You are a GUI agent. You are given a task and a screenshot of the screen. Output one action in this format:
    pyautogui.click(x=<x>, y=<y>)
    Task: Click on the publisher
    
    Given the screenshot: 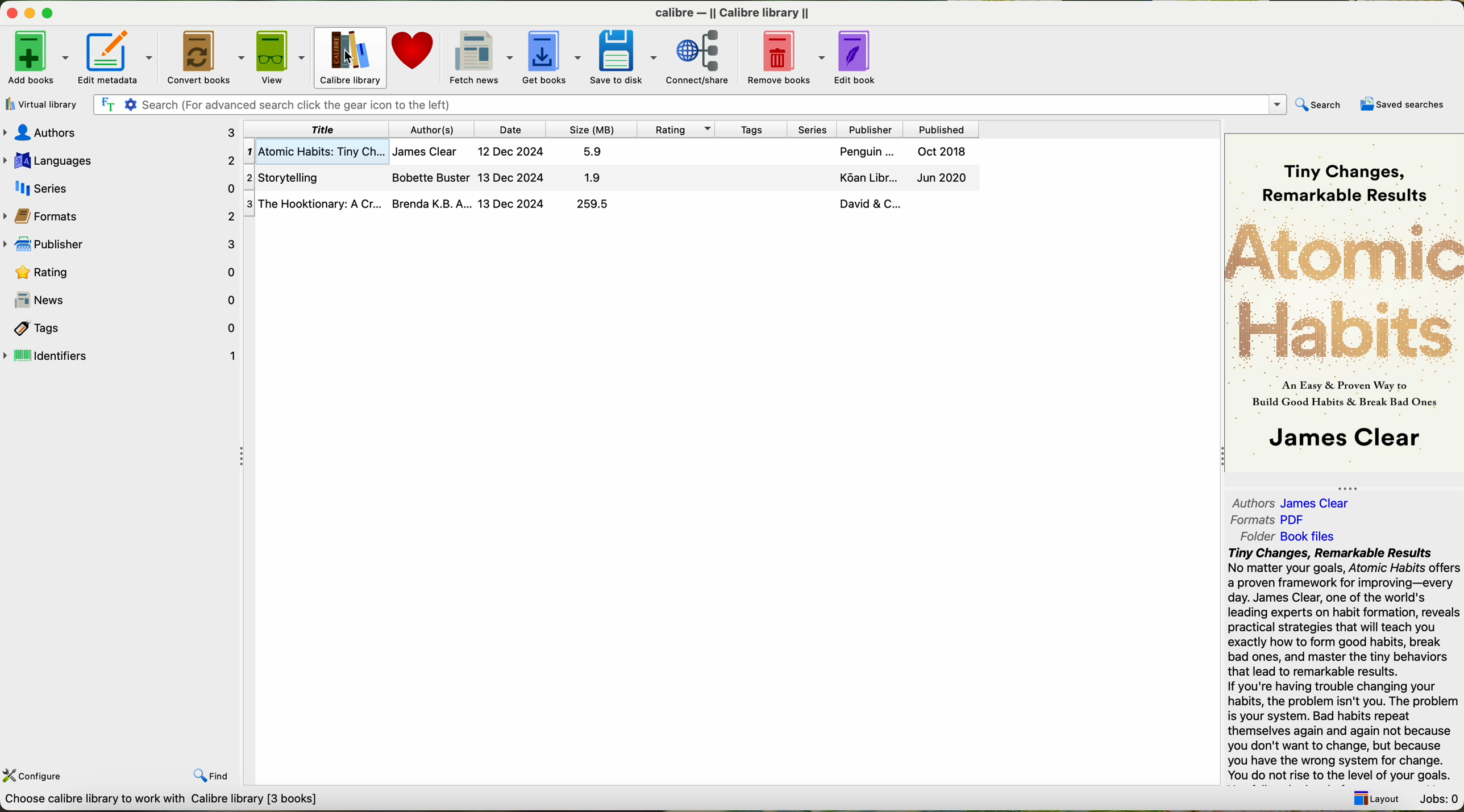 What is the action you would take?
    pyautogui.click(x=123, y=245)
    